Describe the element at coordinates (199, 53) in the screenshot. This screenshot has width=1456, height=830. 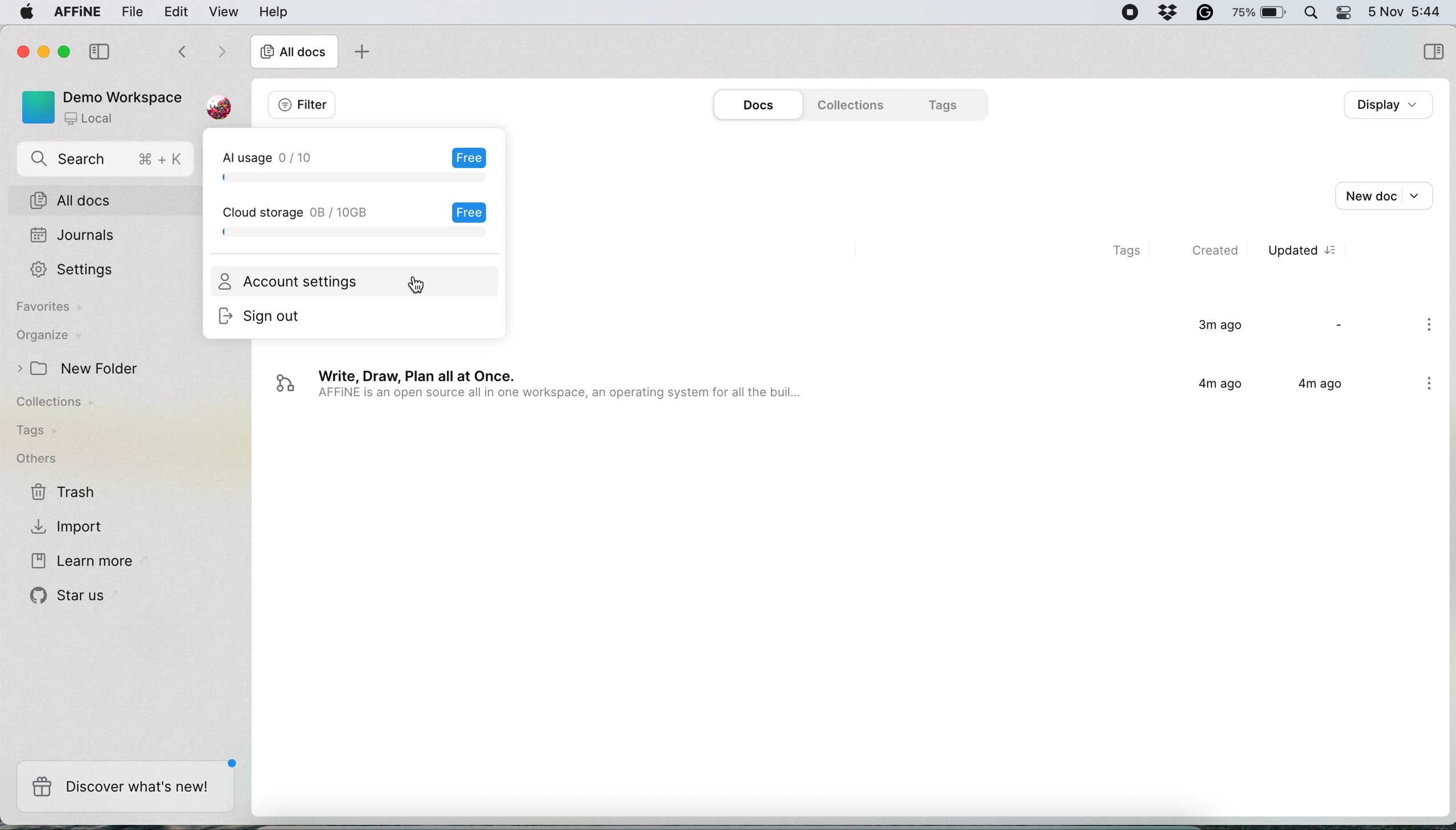
I see `switch between documents` at that location.